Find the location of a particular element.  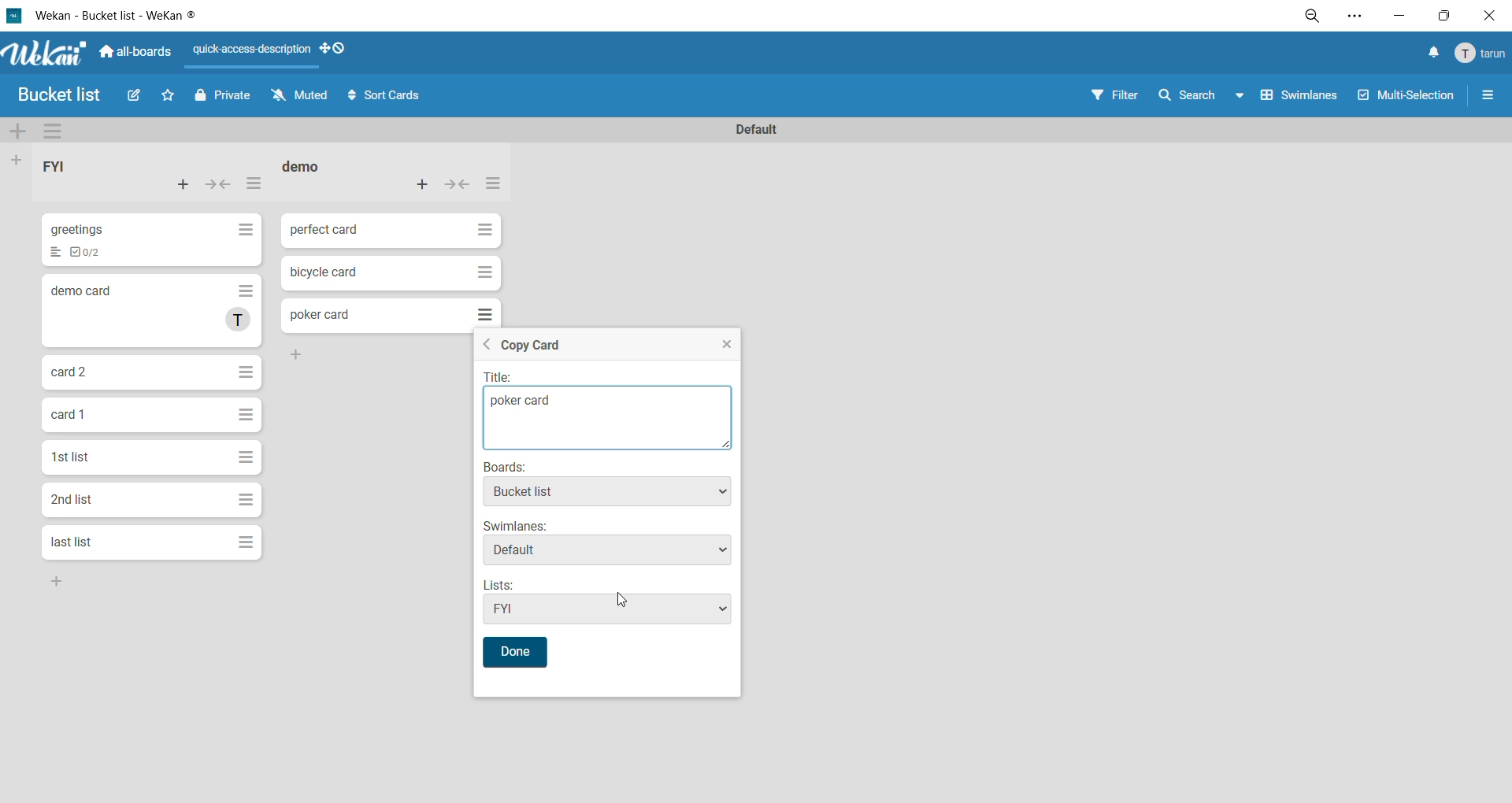

private is located at coordinates (222, 98).